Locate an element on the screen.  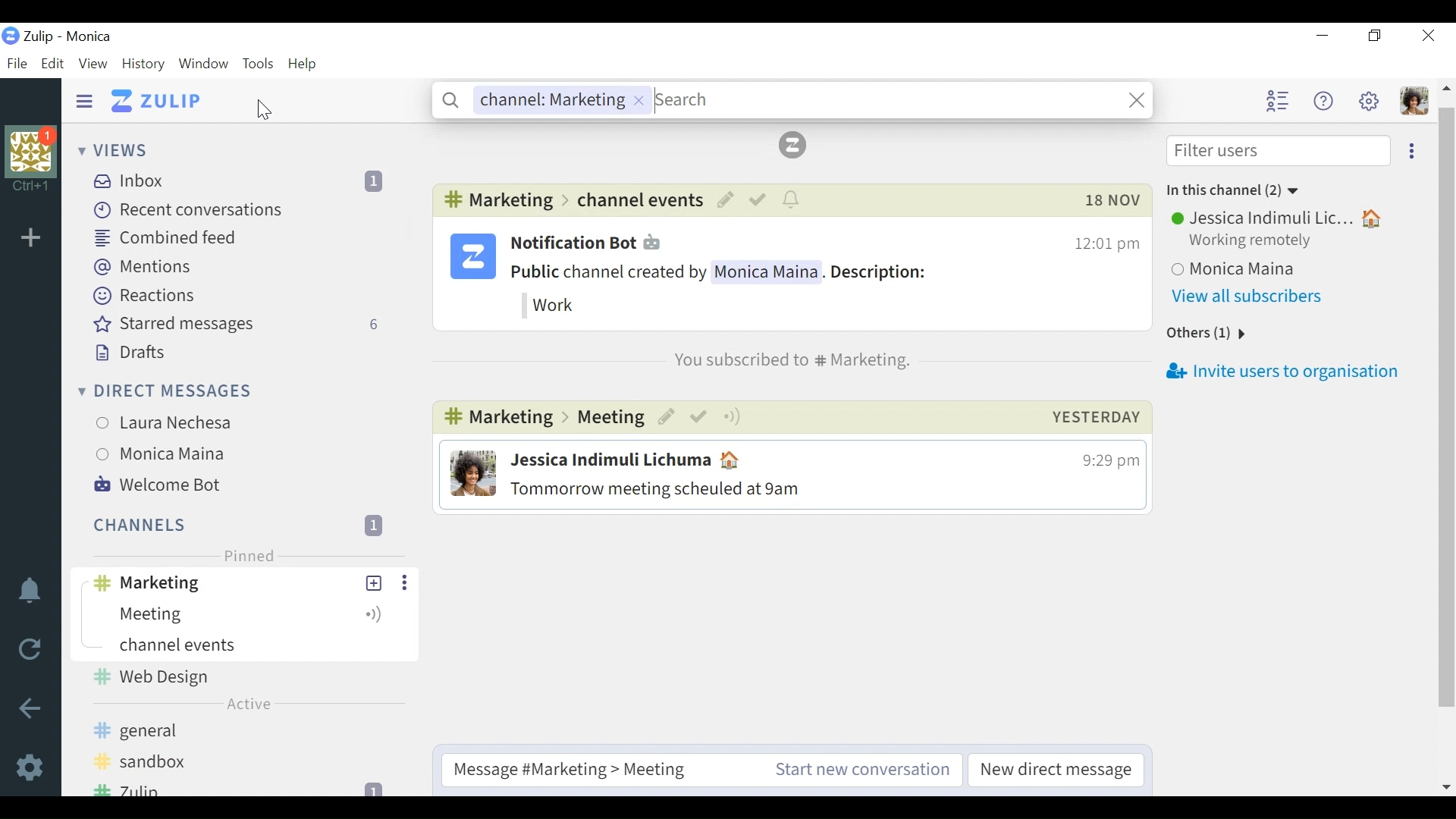
 Notification Bot 12:01 pmPublic channel created by Monica Maina. Description:Work is located at coordinates (828, 278).